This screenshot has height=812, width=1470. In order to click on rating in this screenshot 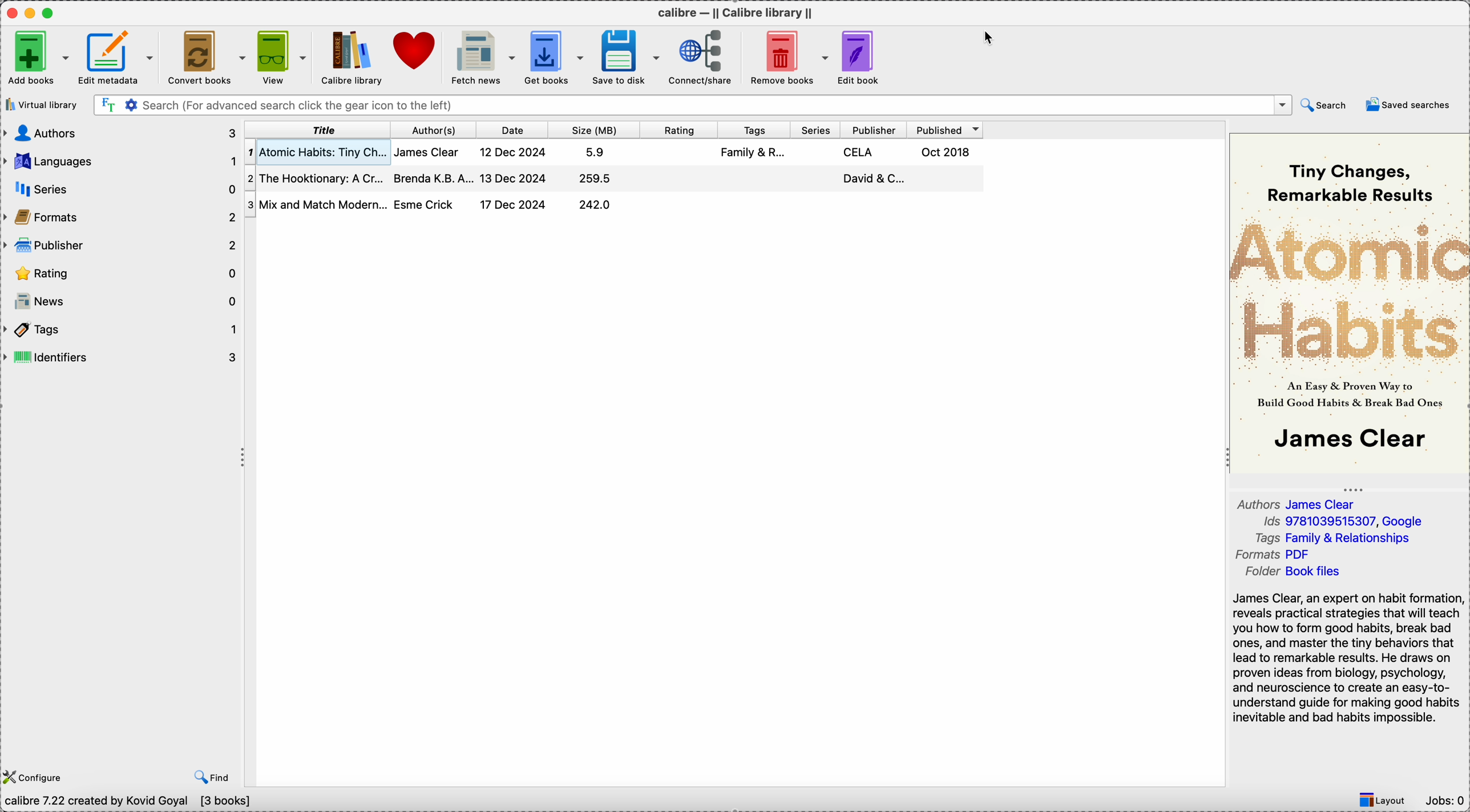, I will do `click(120, 272)`.